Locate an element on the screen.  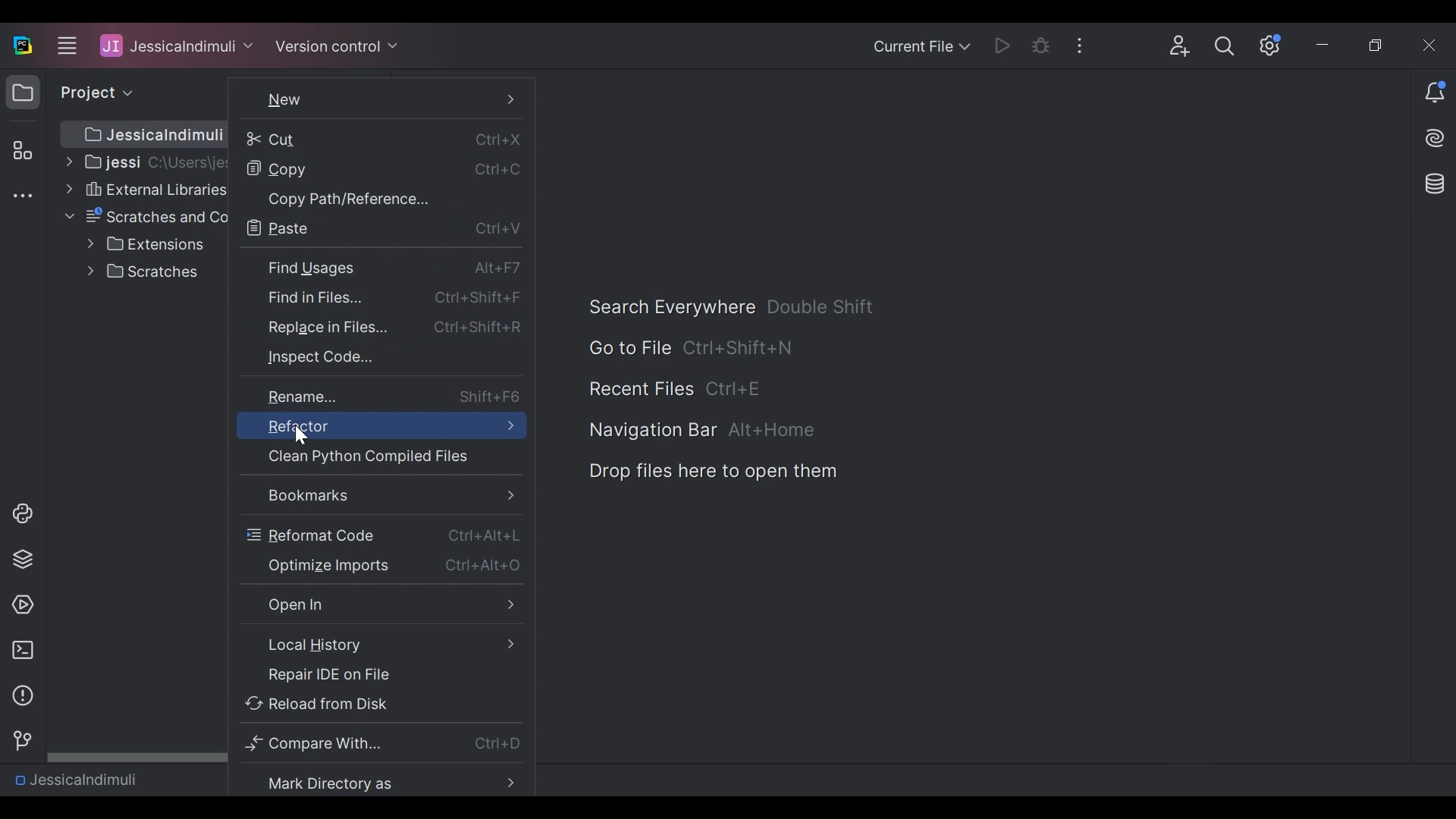
Version Control is located at coordinates (337, 45).